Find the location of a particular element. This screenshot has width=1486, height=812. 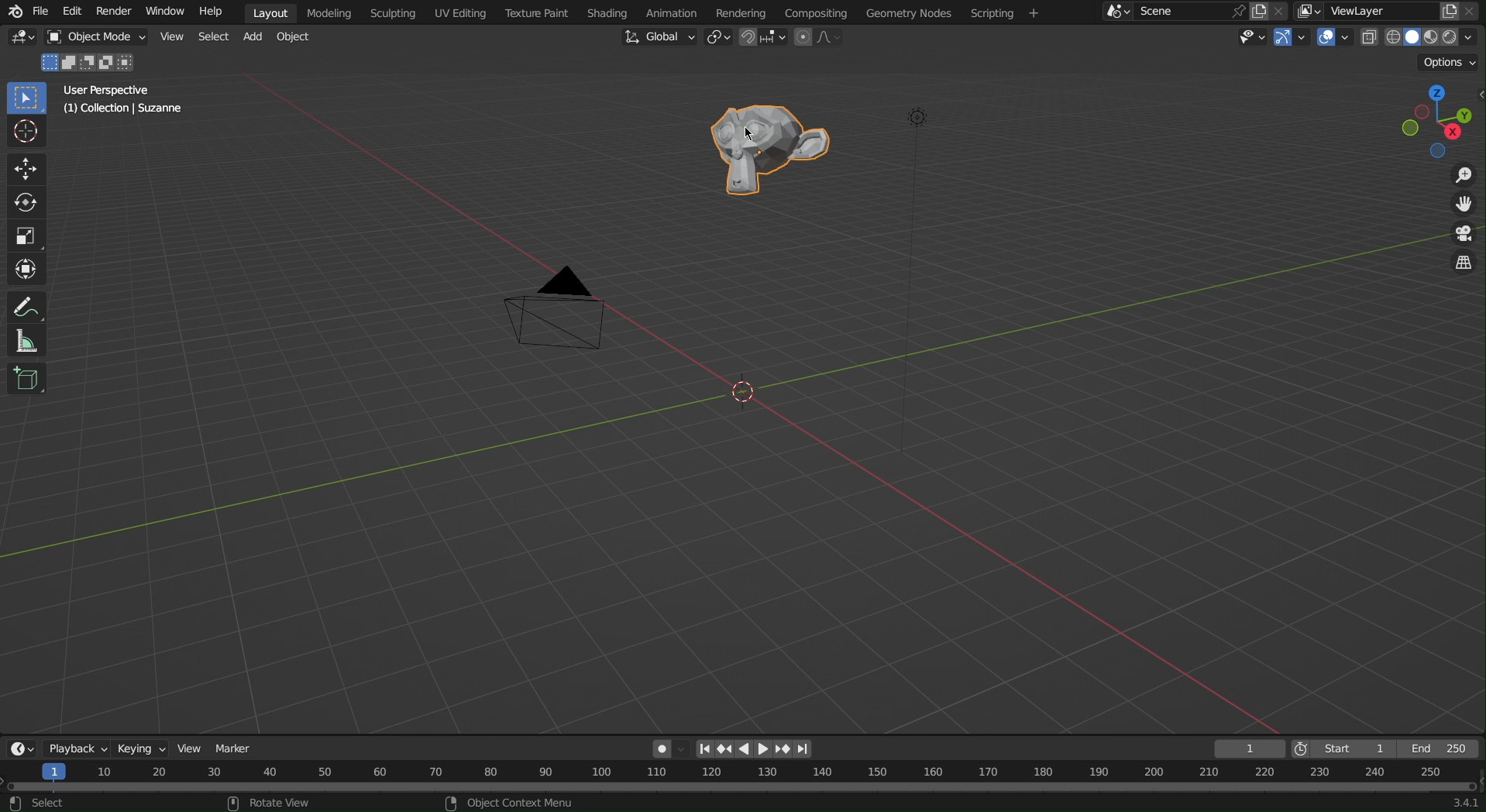

intersect existing selection is located at coordinates (130, 63).